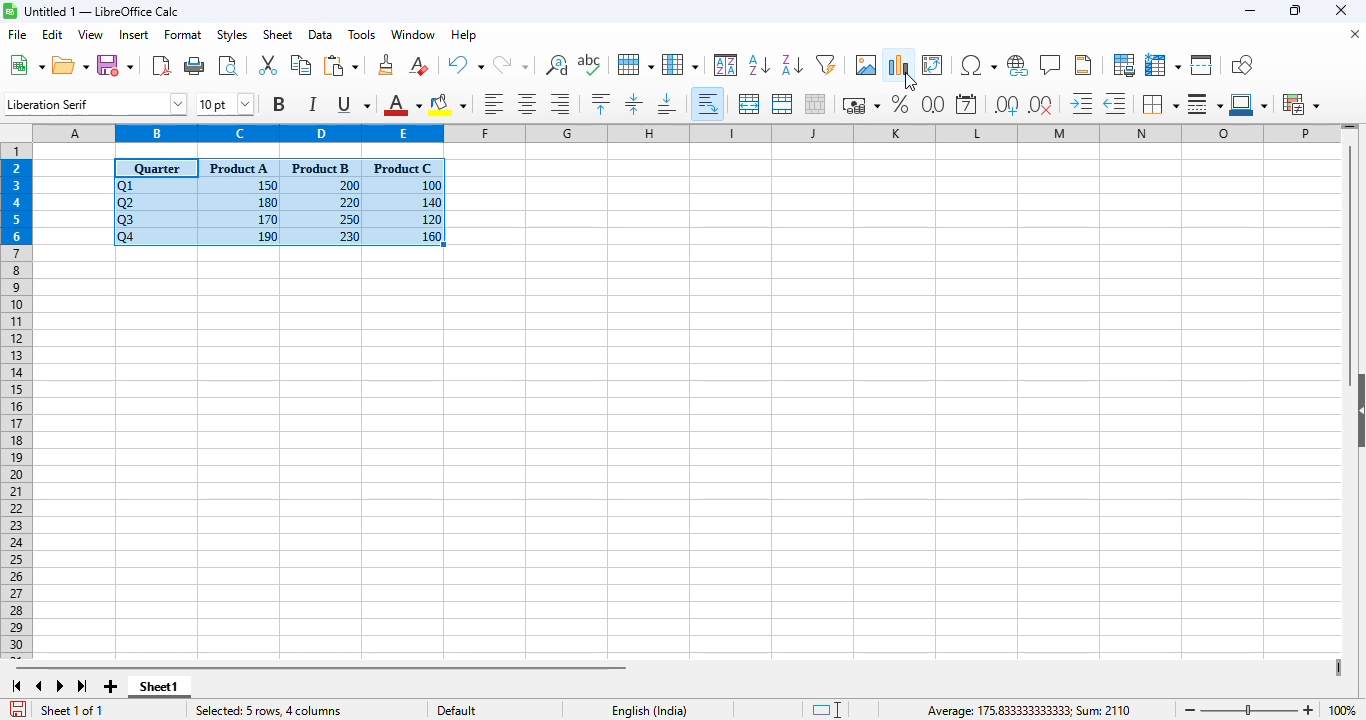 The image size is (1366, 720). Describe the element at coordinates (726, 65) in the screenshot. I see `sort` at that location.